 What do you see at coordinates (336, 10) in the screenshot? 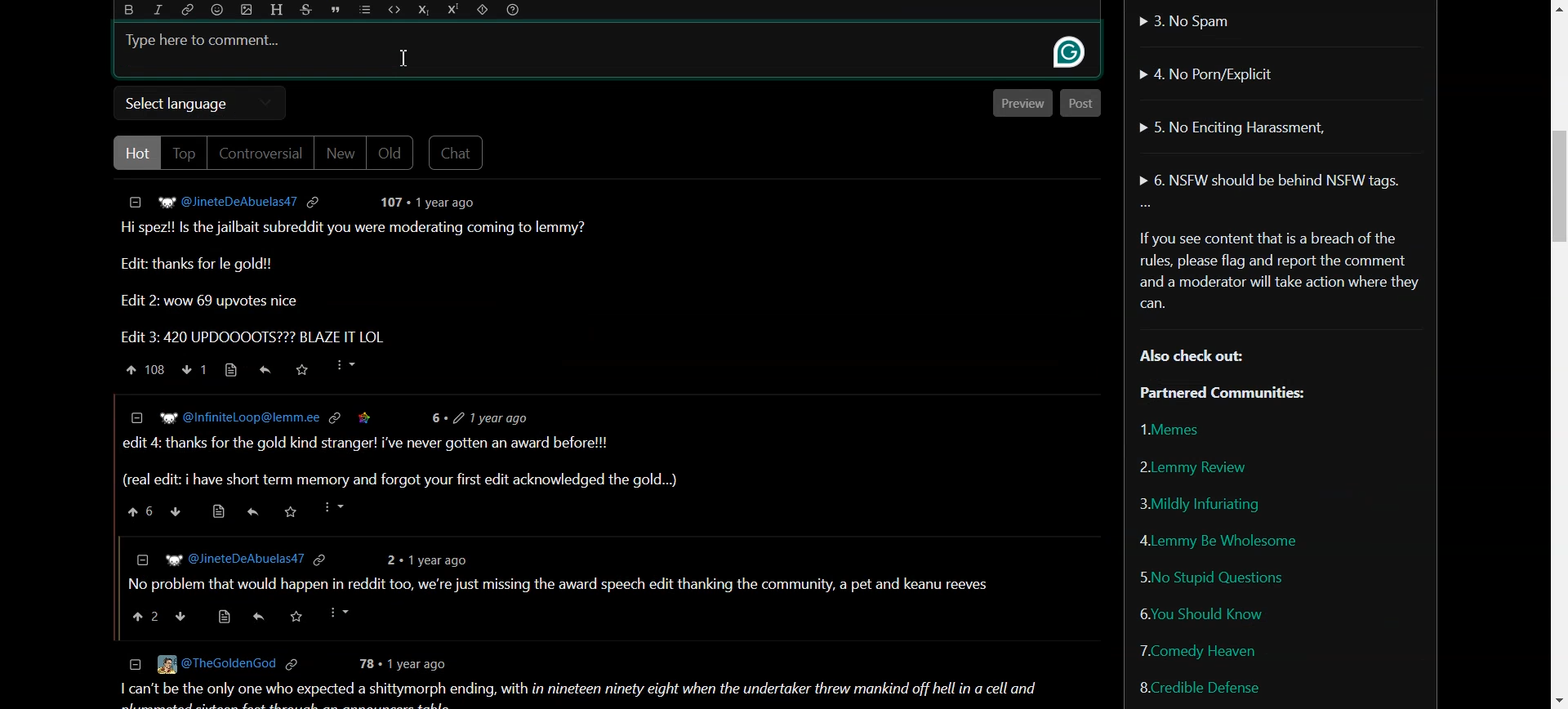
I see `Quote` at bounding box center [336, 10].